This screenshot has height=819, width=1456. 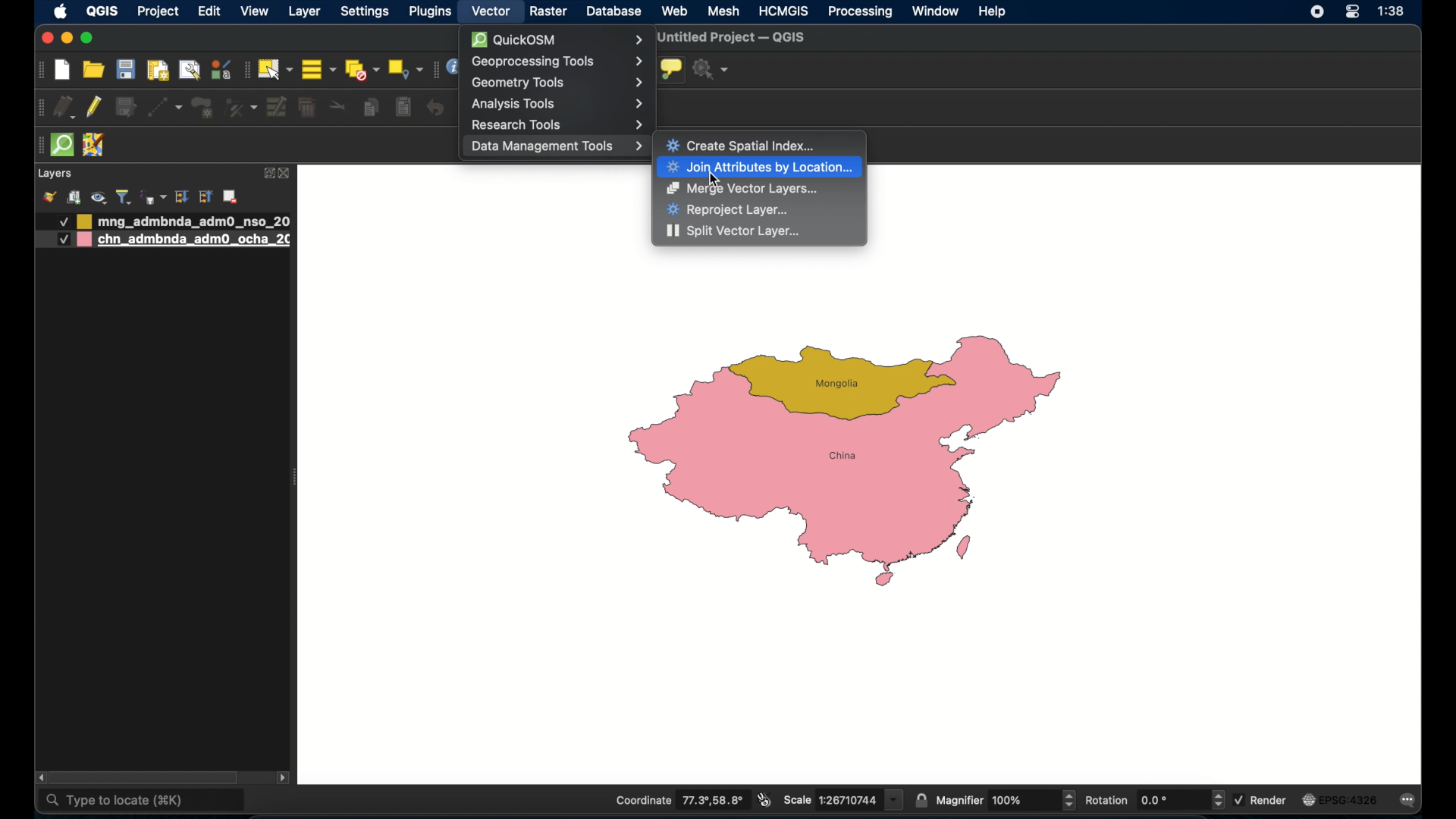 What do you see at coordinates (266, 173) in the screenshot?
I see `expand` at bounding box center [266, 173].